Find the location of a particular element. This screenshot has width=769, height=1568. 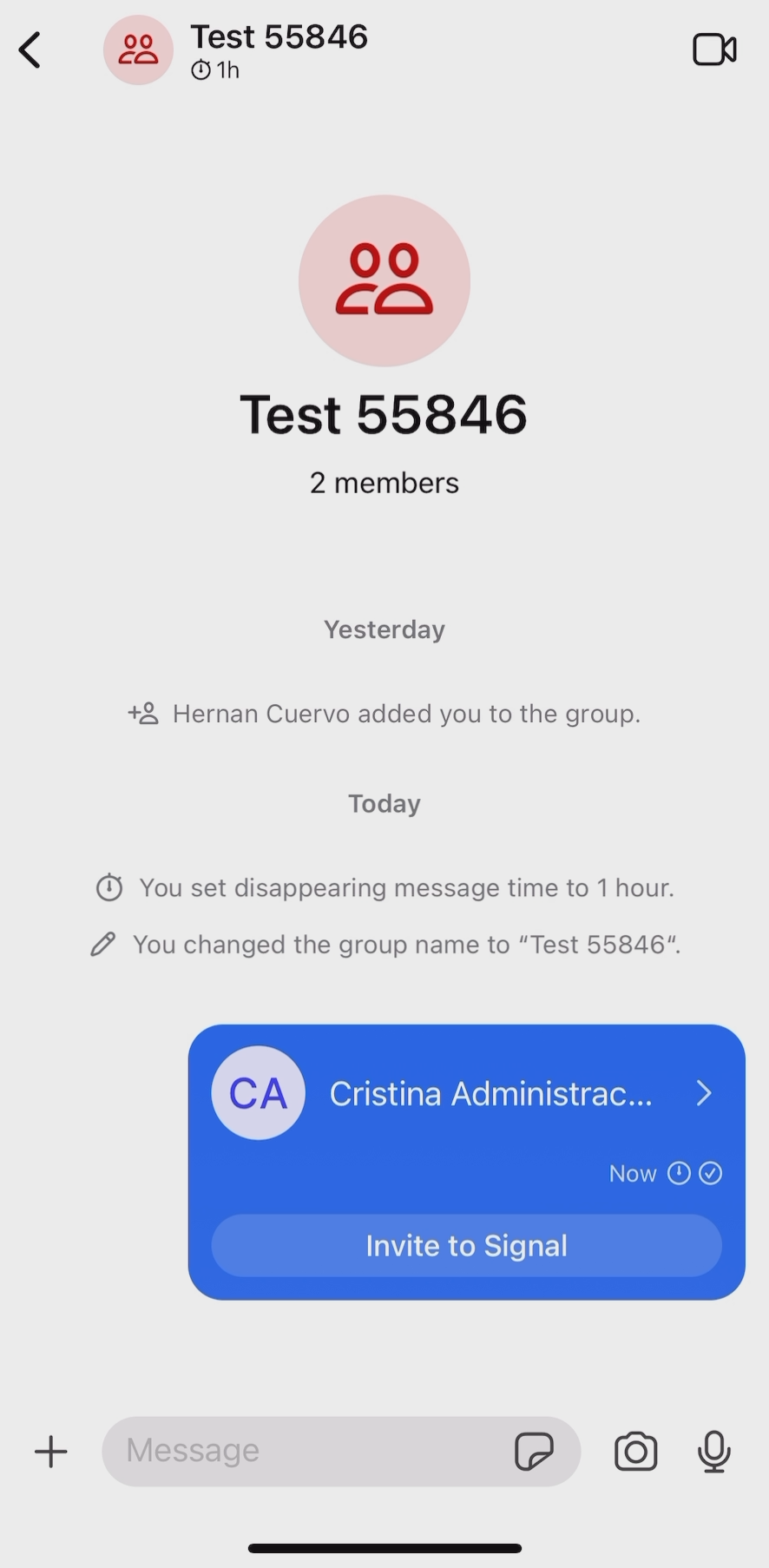

group is located at coordinates (241, 52).